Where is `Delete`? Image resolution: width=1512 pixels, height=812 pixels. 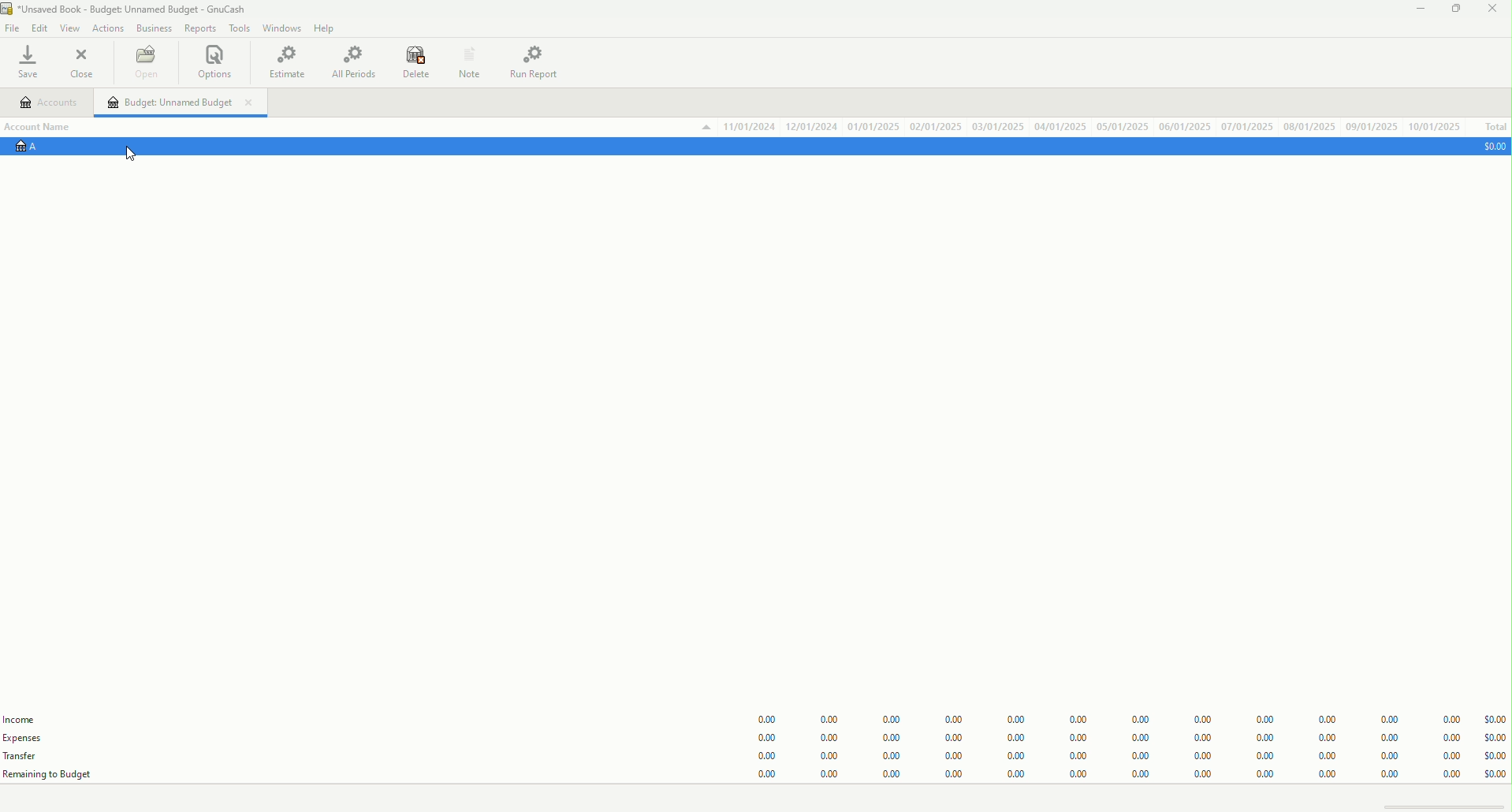 Delete is located at coordinates (416, 61).